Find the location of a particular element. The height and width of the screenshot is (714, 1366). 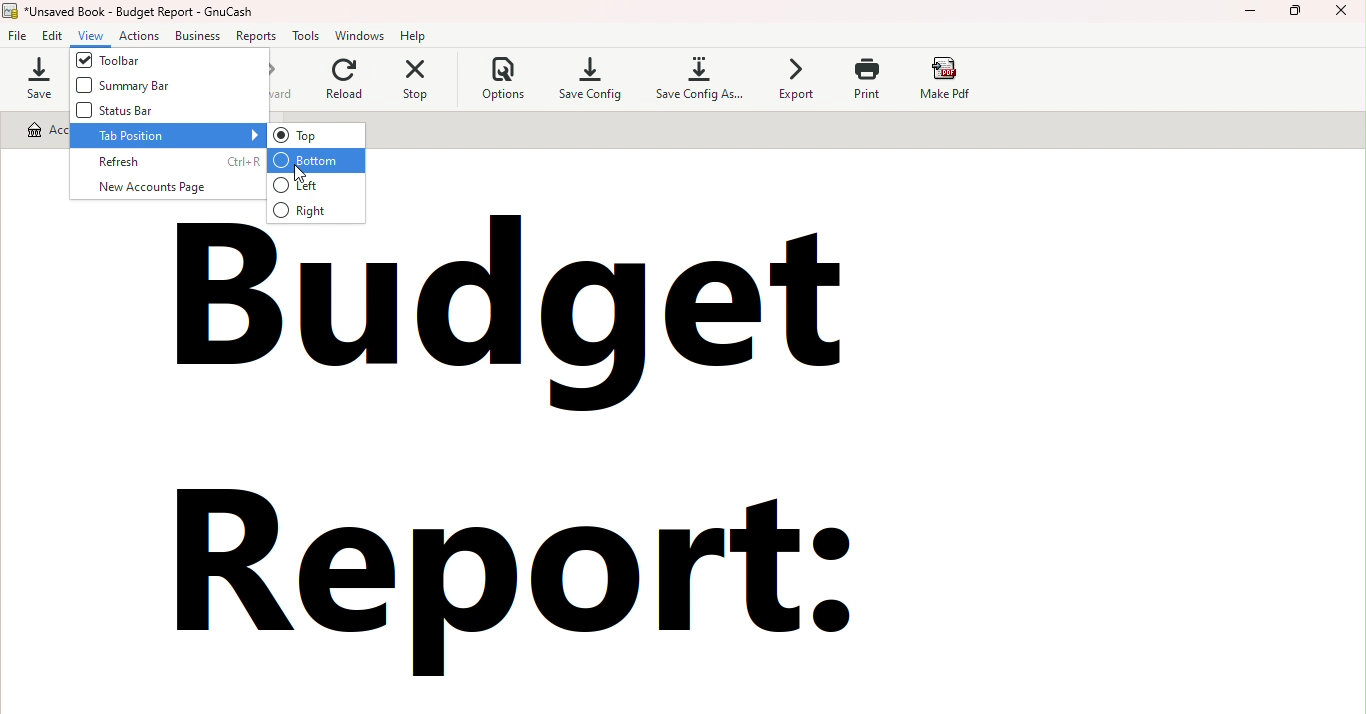

Reports is located at coordinates (258, 35).